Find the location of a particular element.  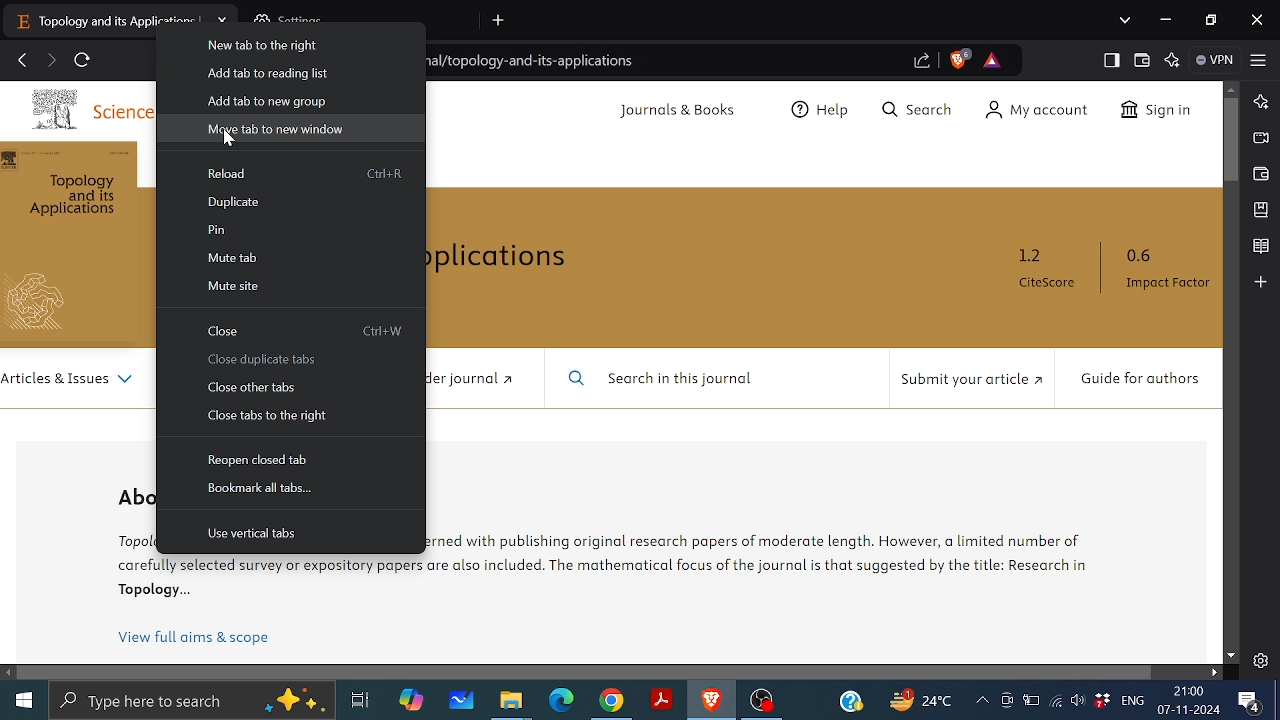

0.6
Impact Factor is located at coordinates (1164, 272).